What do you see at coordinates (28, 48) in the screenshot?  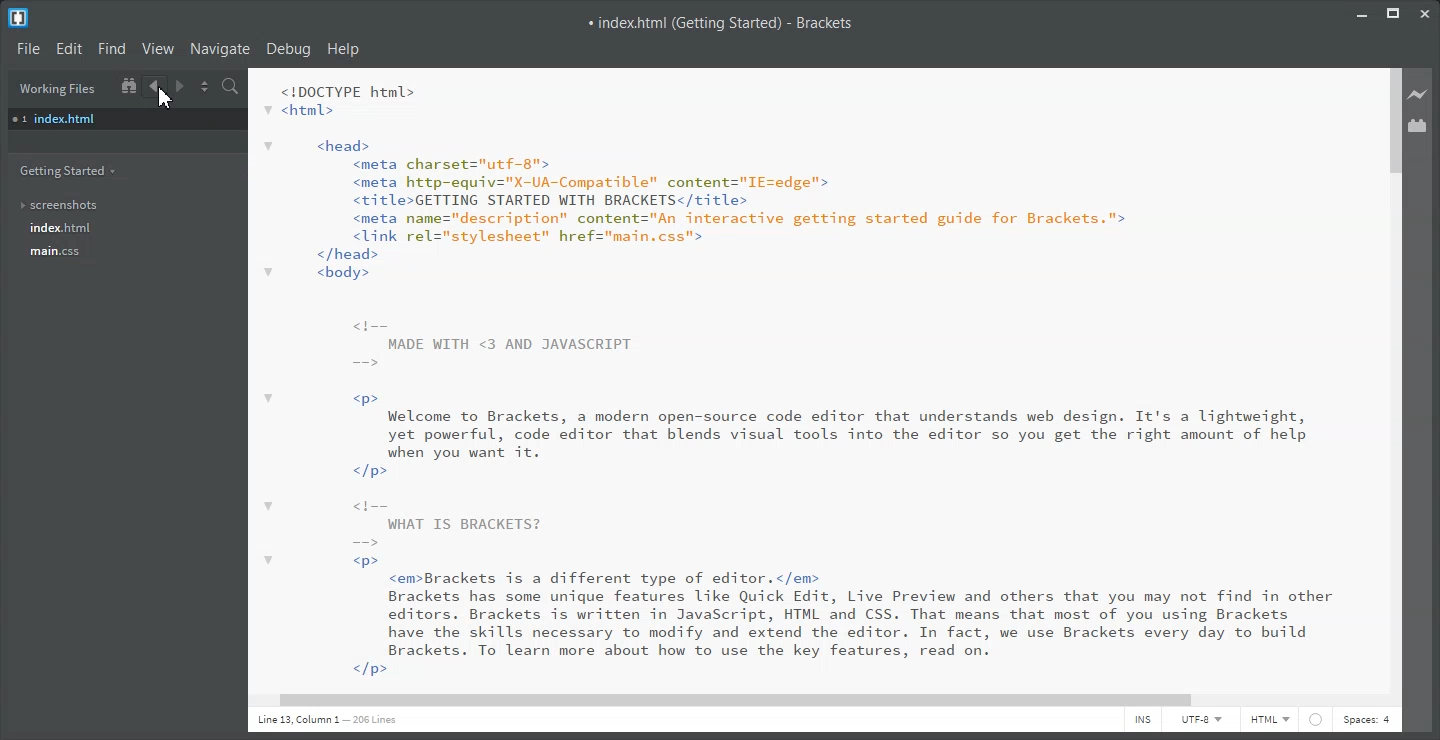 I see `File` at bounding box center [28, 48].